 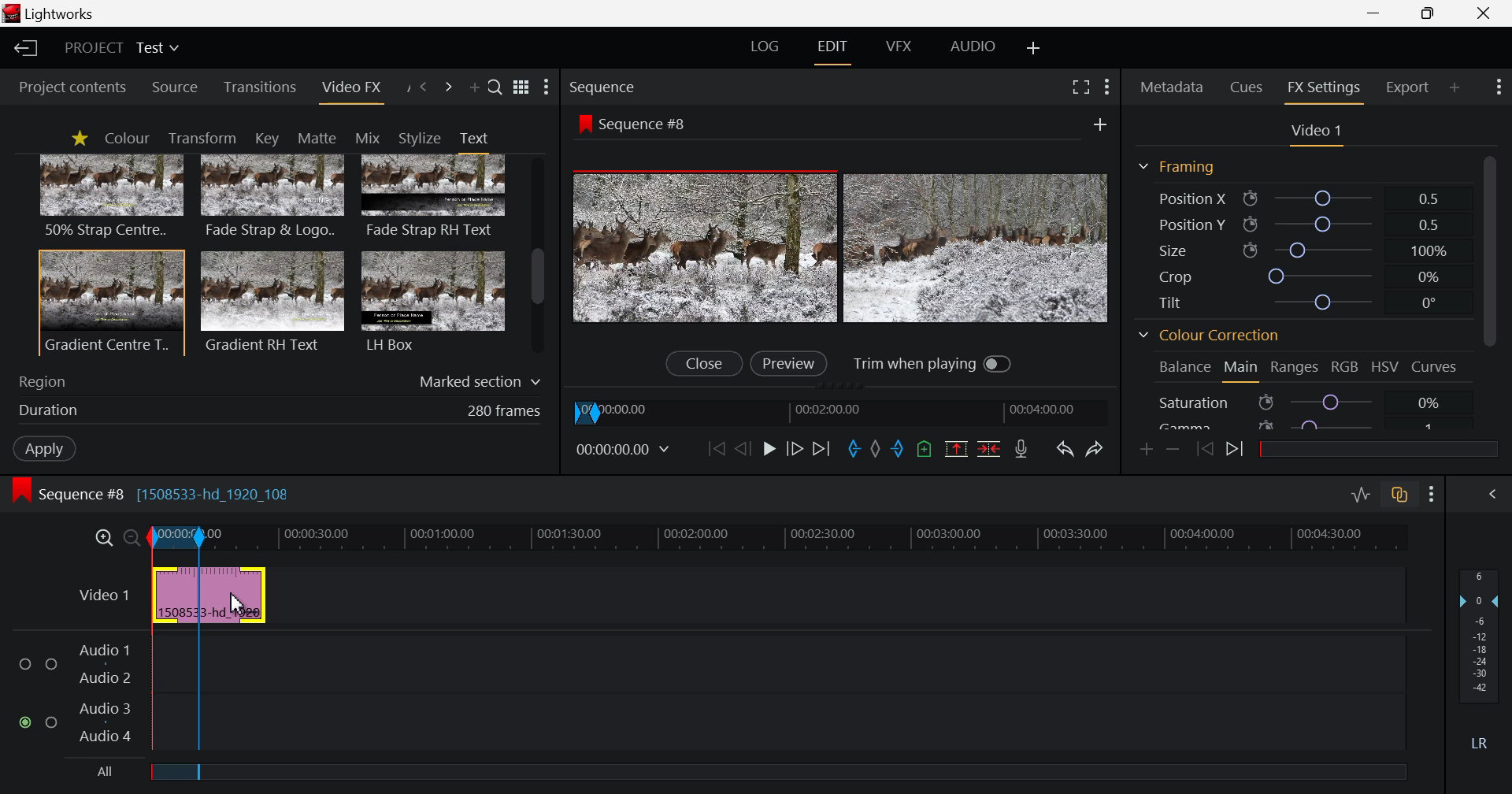 I want to click on Full Screen, so click(x=1082, y=87).